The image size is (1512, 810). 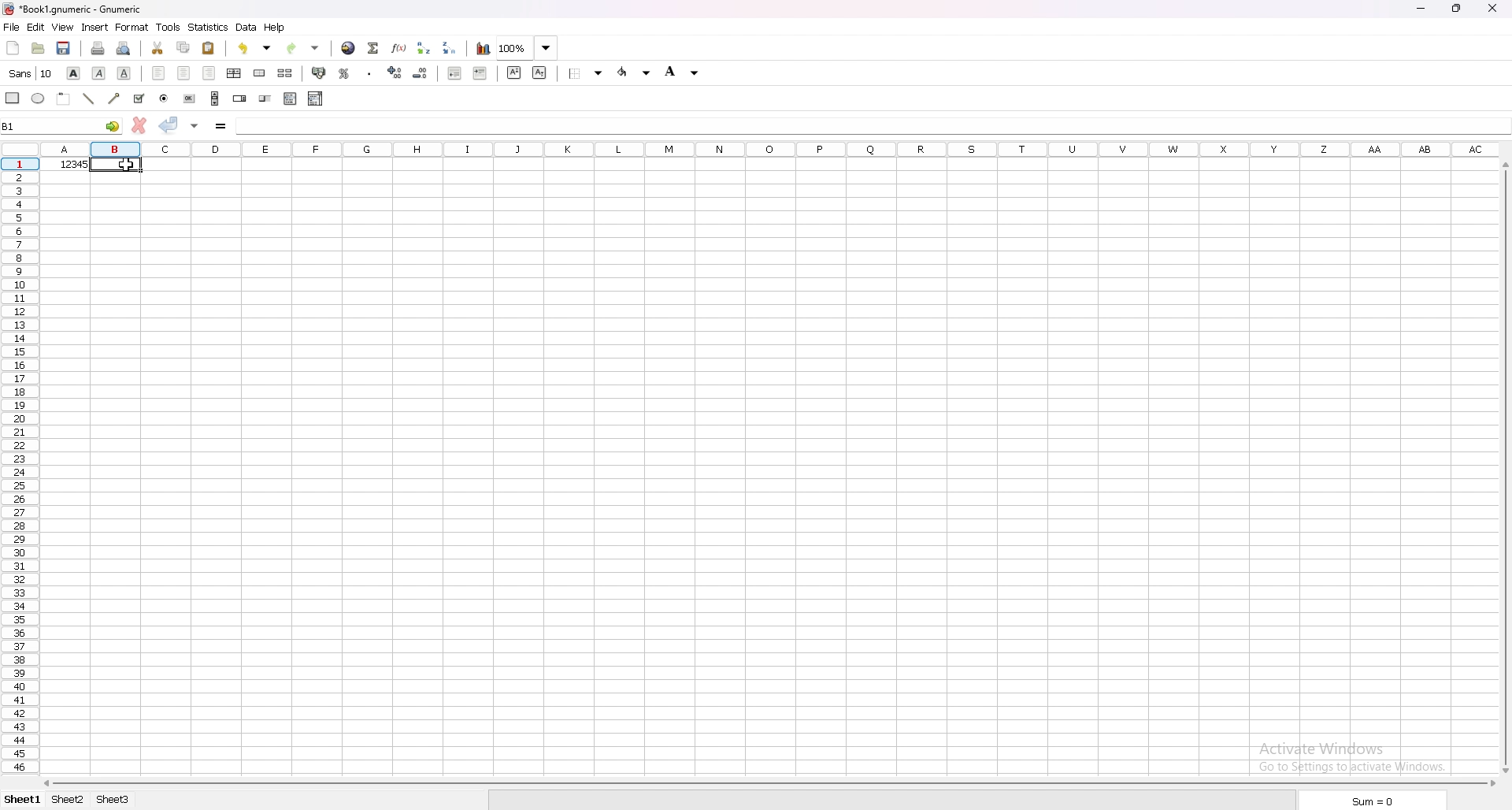 I want to click on scroll bar, so click(x=1504, y=470).